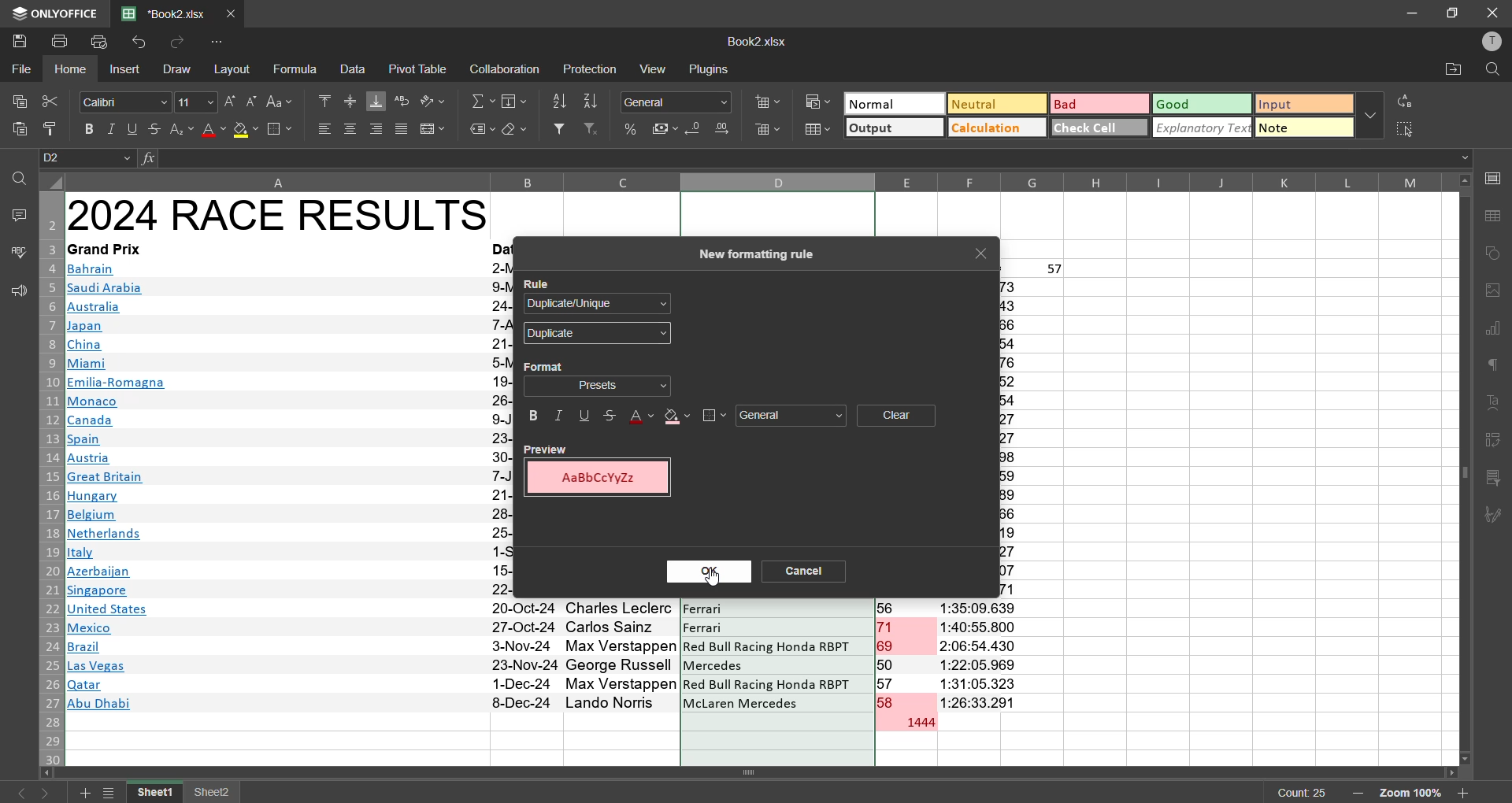 This screenshot has height=803, width=1512. Describe the element at coordinates (766, 100) in the screenshot. I see `insert cells` at that location.